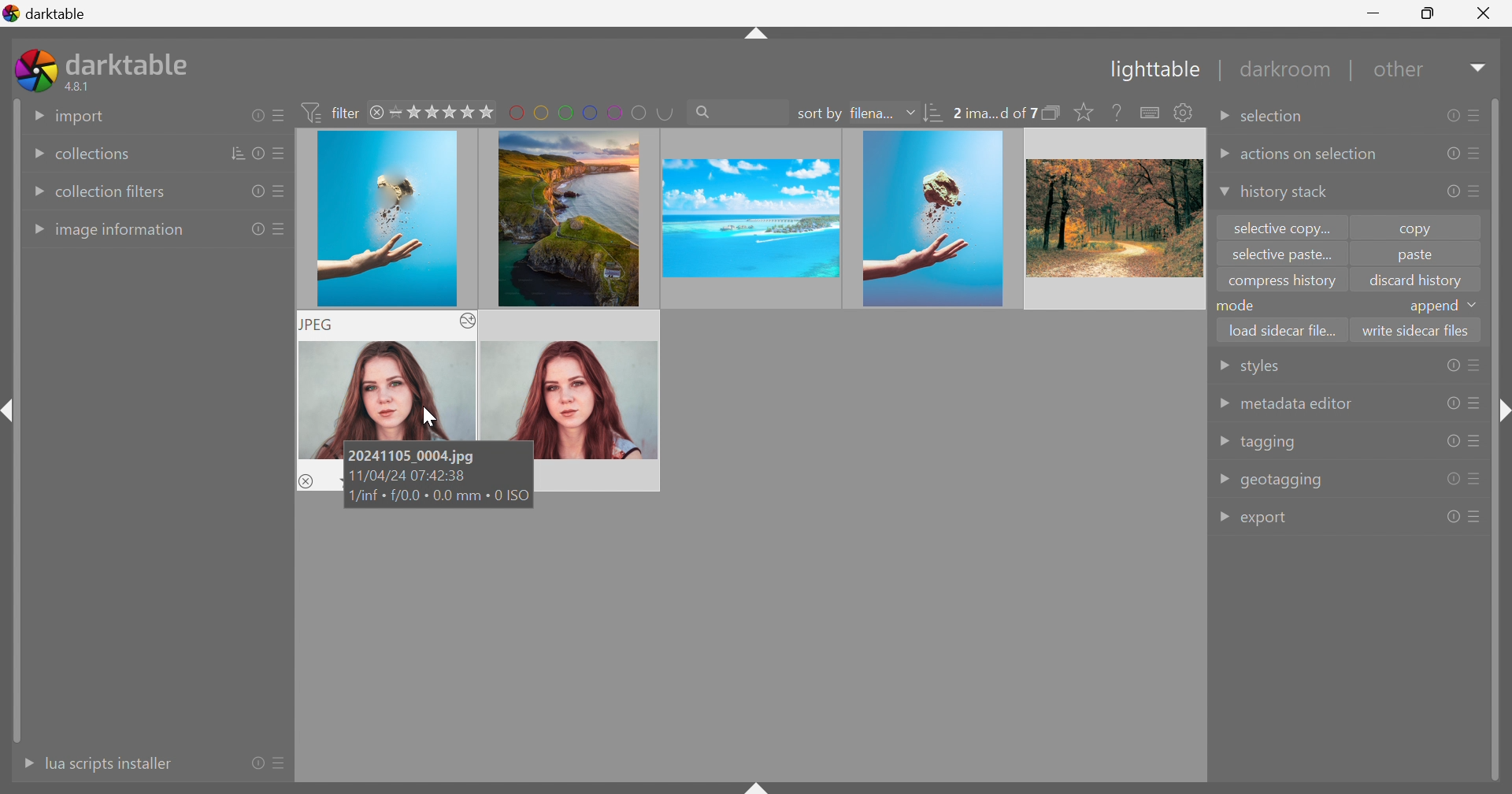 This screenshot has height=794, width=1512. I want to click on reset, so click(257, 230).